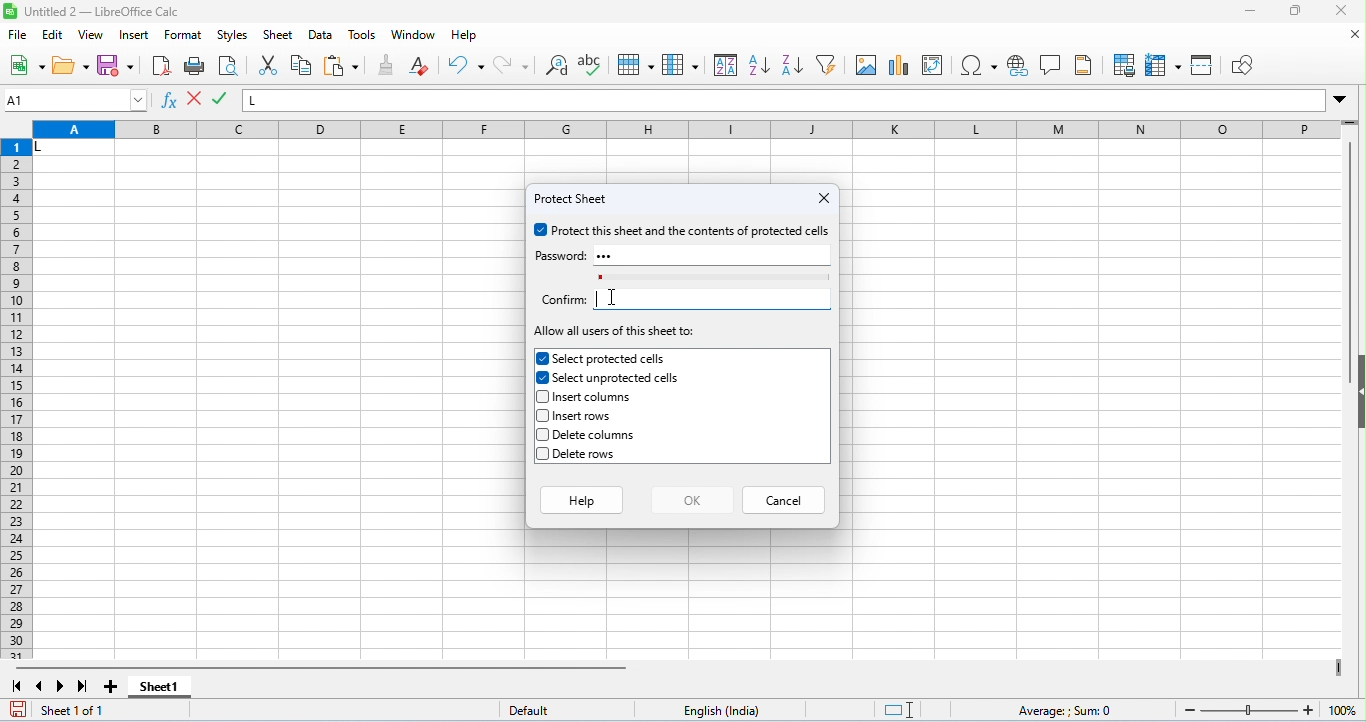  Describe the element at coordinates (71, 66) in the screenshot. I see `open` at that location.